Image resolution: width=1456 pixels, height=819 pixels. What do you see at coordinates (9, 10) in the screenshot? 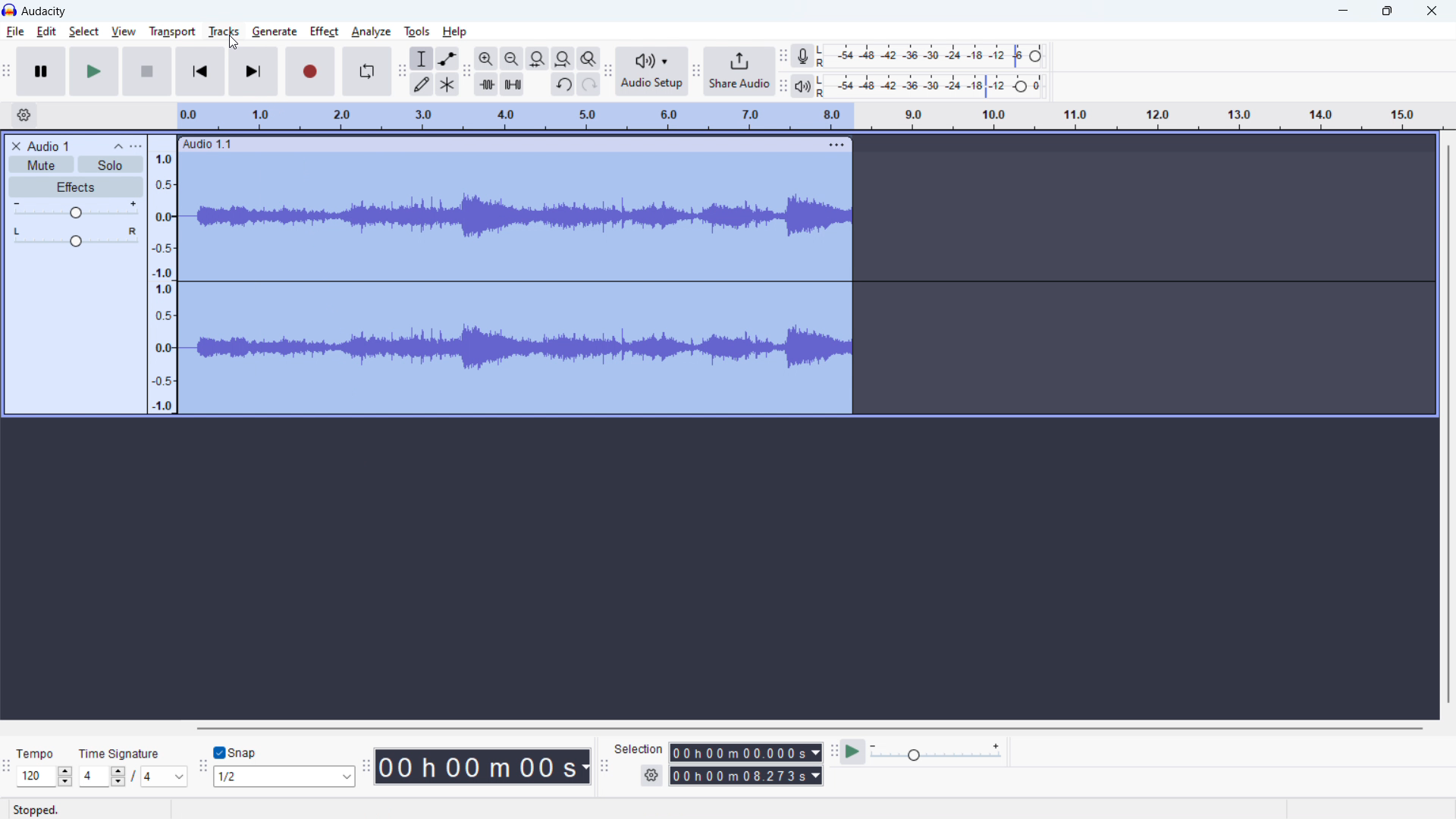
I see `logo` at bounding box center [9, 10].